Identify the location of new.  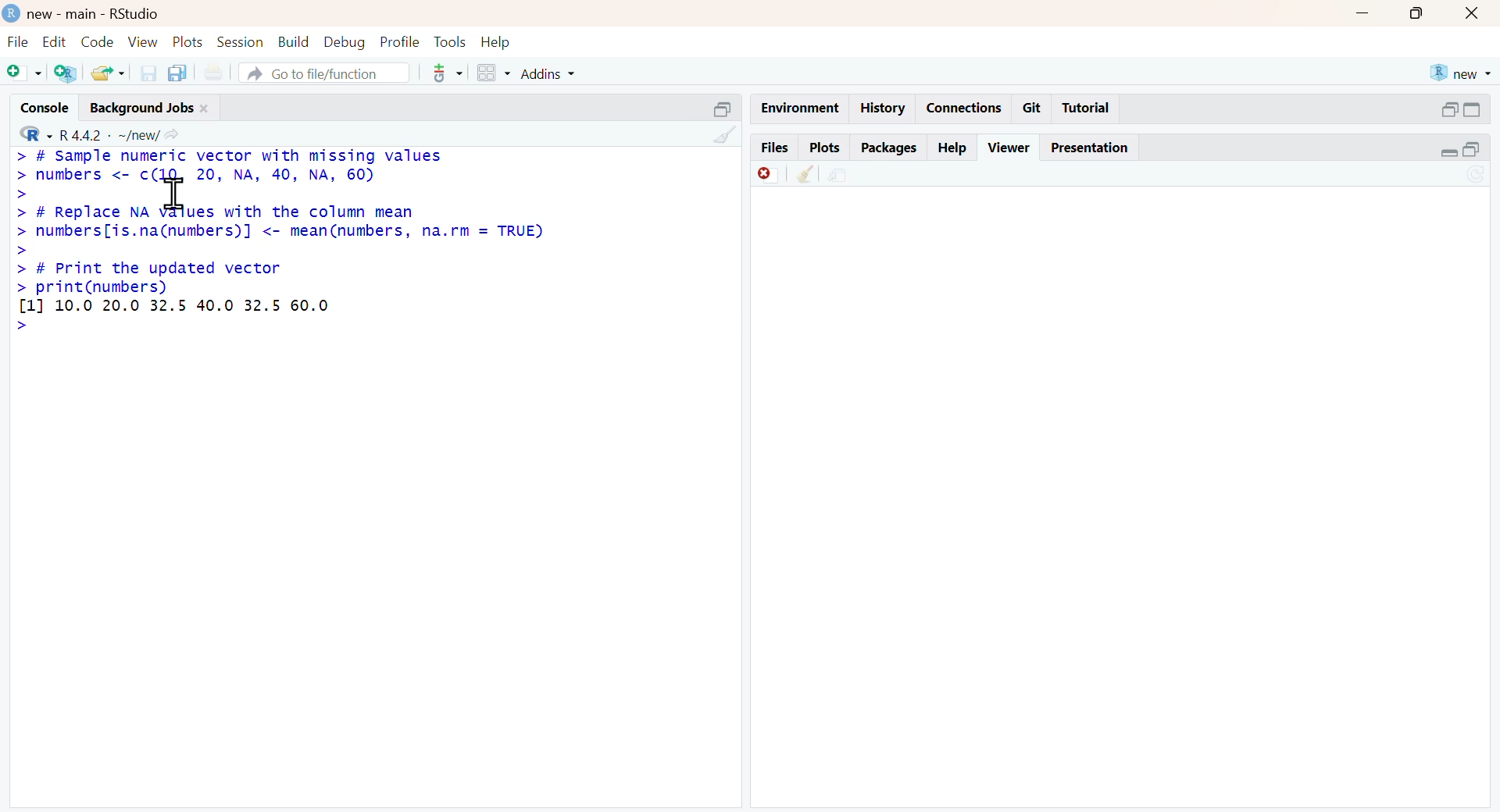
(1462, 74).